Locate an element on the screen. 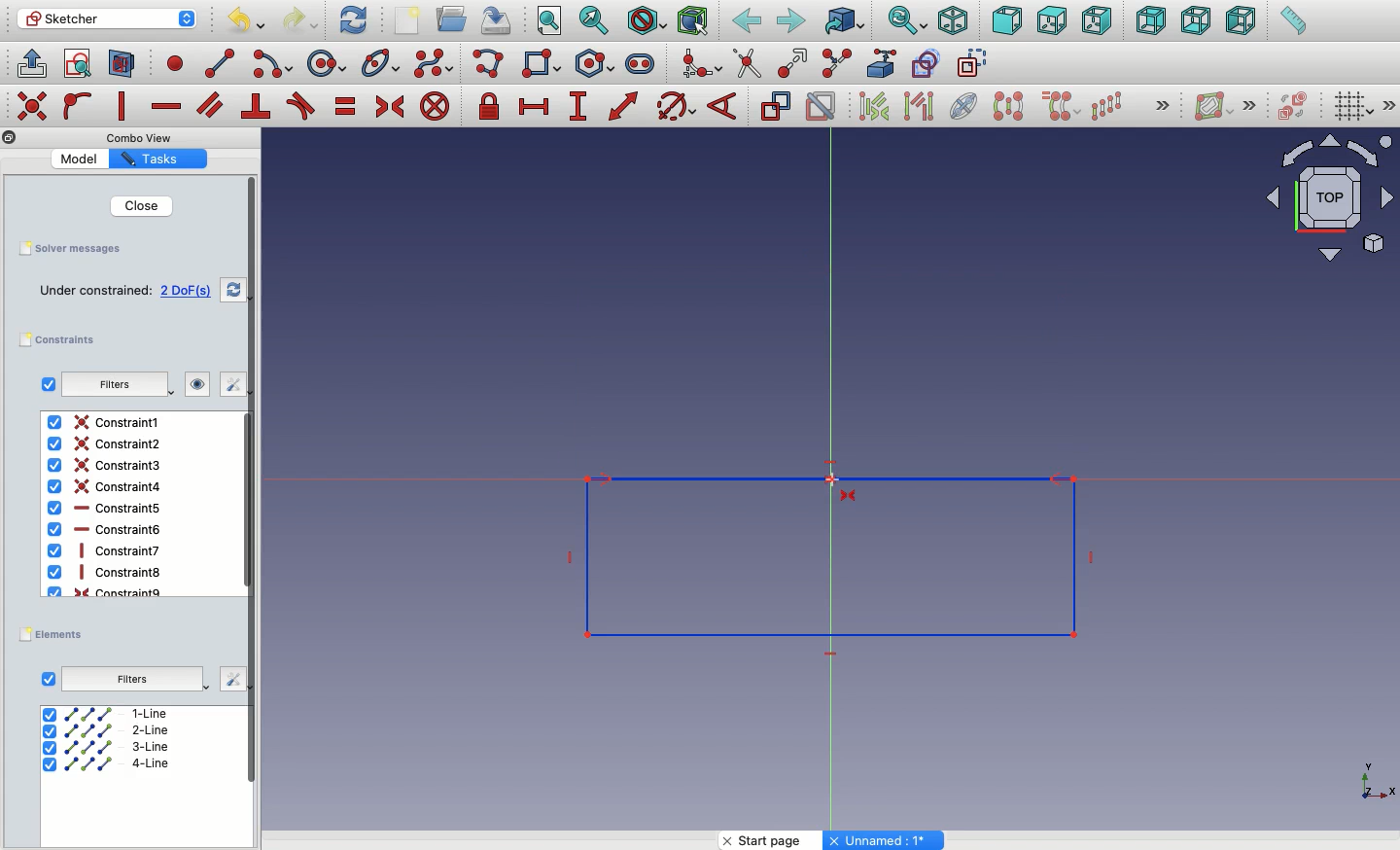  Internal geometry  is located at coordinates (964, 104).